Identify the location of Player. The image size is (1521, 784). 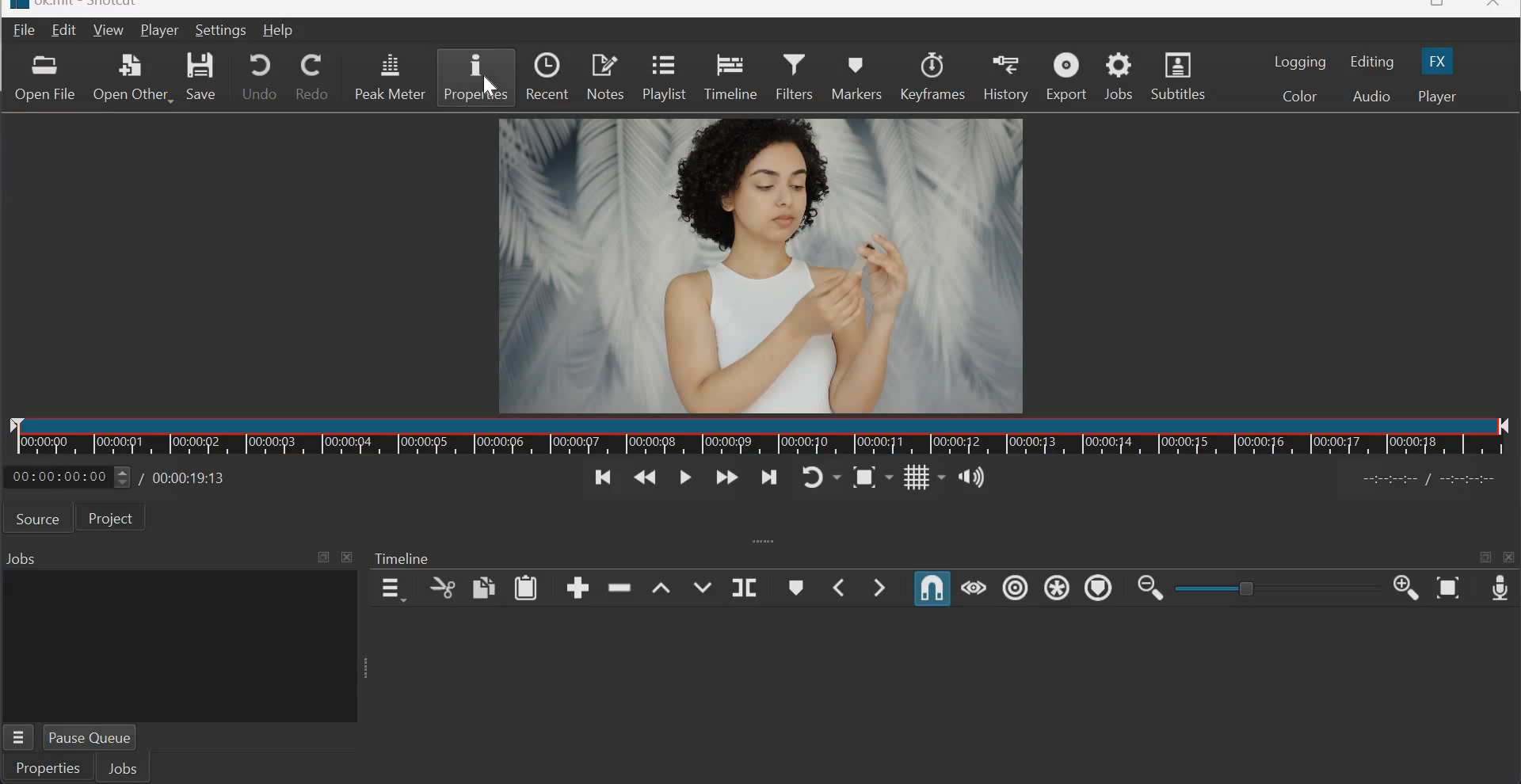
(159, 30).